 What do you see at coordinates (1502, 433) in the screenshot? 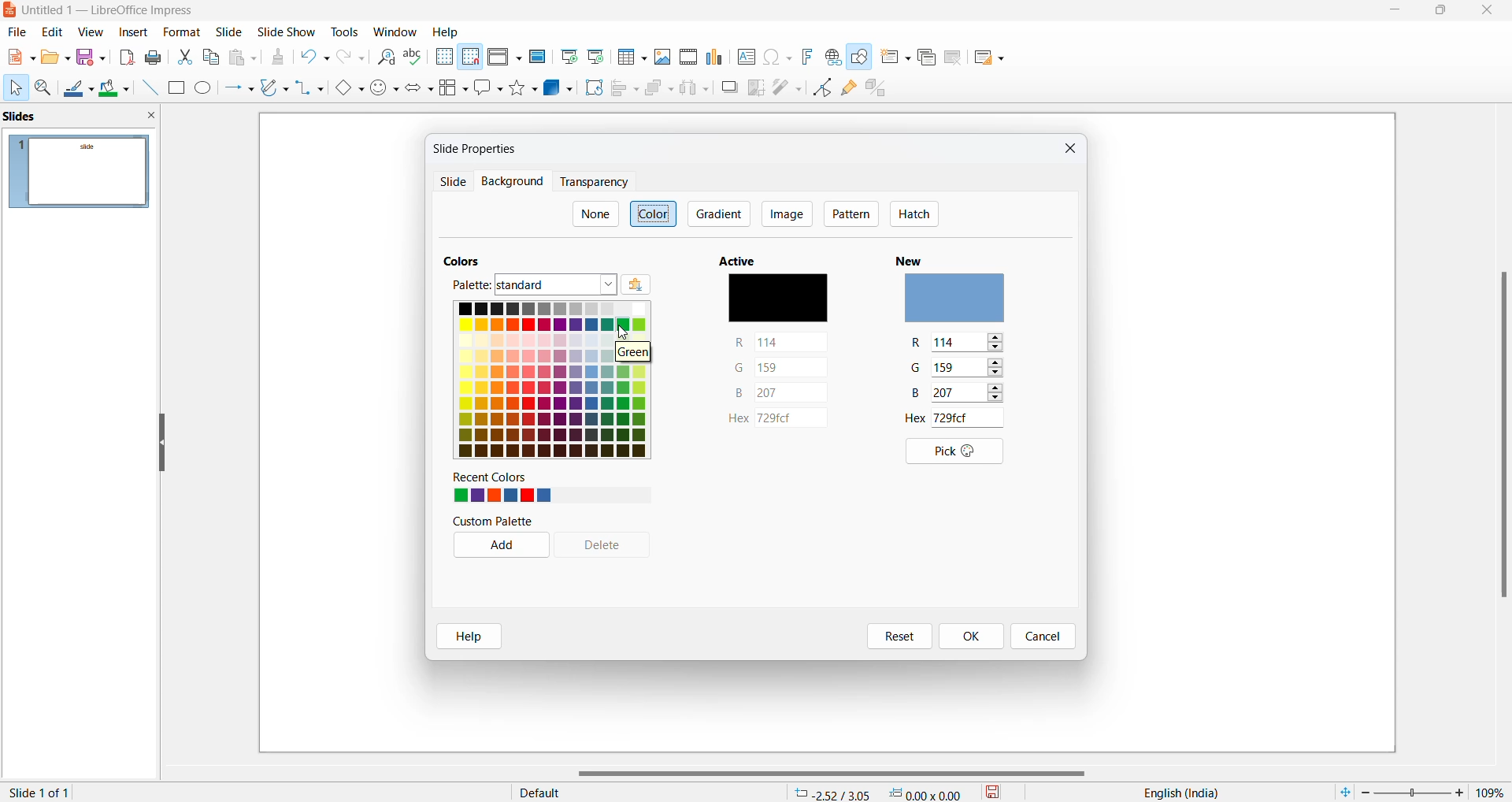
I see `scrollbar` at bounding box center [1502, 433].